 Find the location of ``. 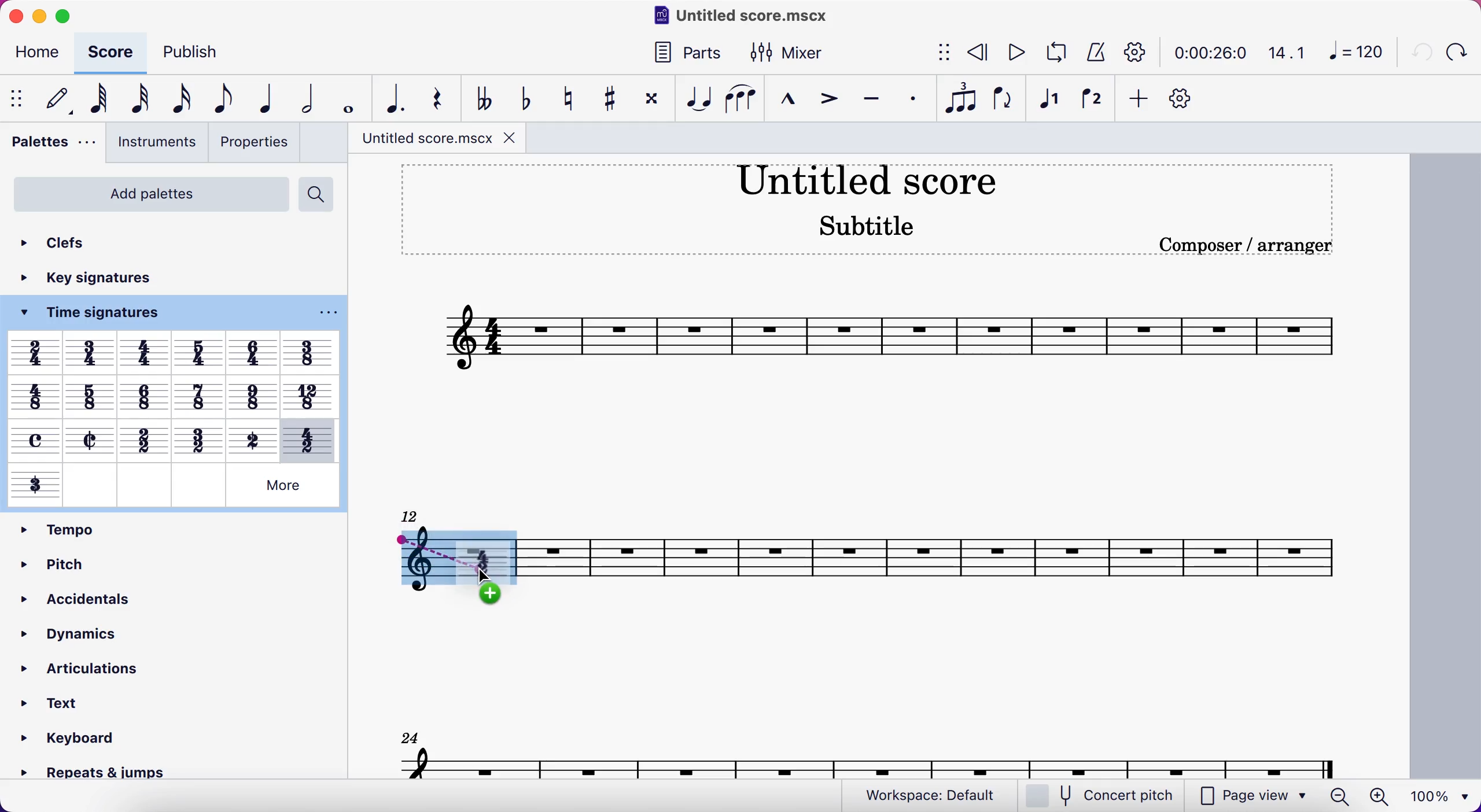

 is located at coordinates (34, 396).